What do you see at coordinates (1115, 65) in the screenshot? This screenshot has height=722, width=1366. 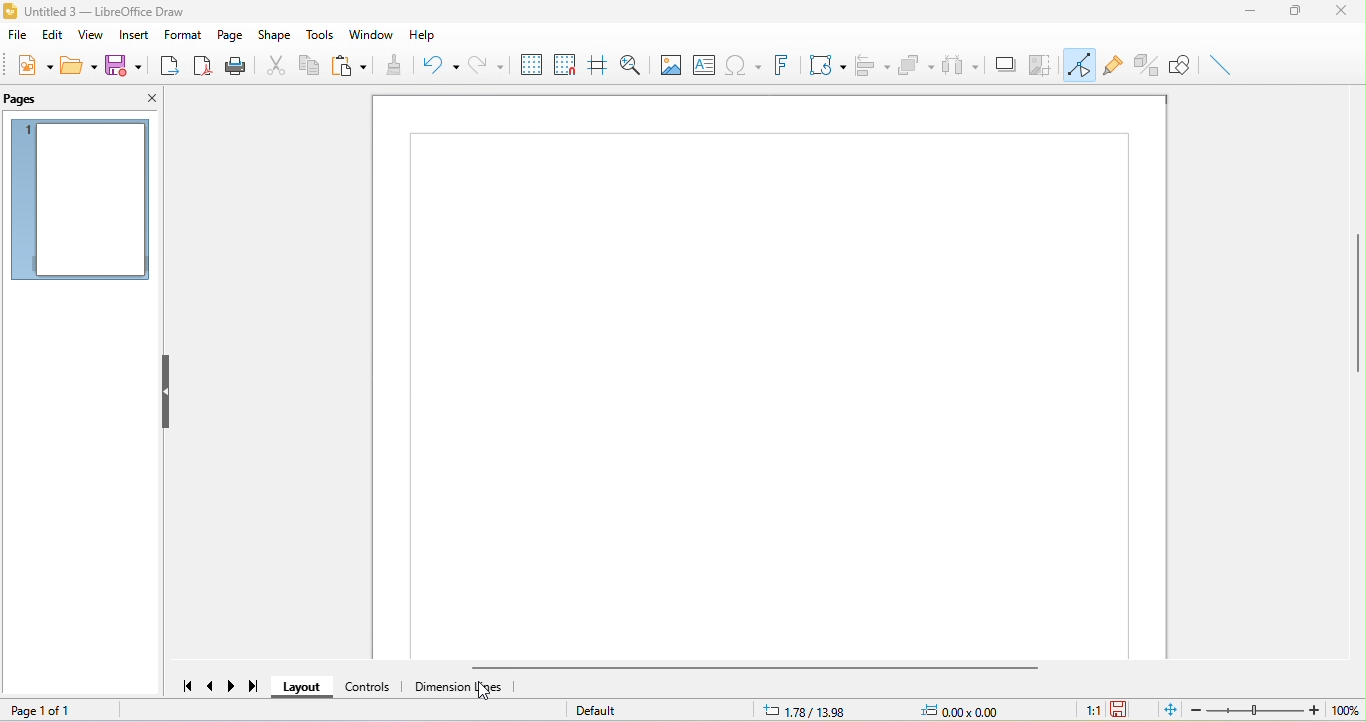 I see `gluepoint function` at bounding box center [1115, 65].